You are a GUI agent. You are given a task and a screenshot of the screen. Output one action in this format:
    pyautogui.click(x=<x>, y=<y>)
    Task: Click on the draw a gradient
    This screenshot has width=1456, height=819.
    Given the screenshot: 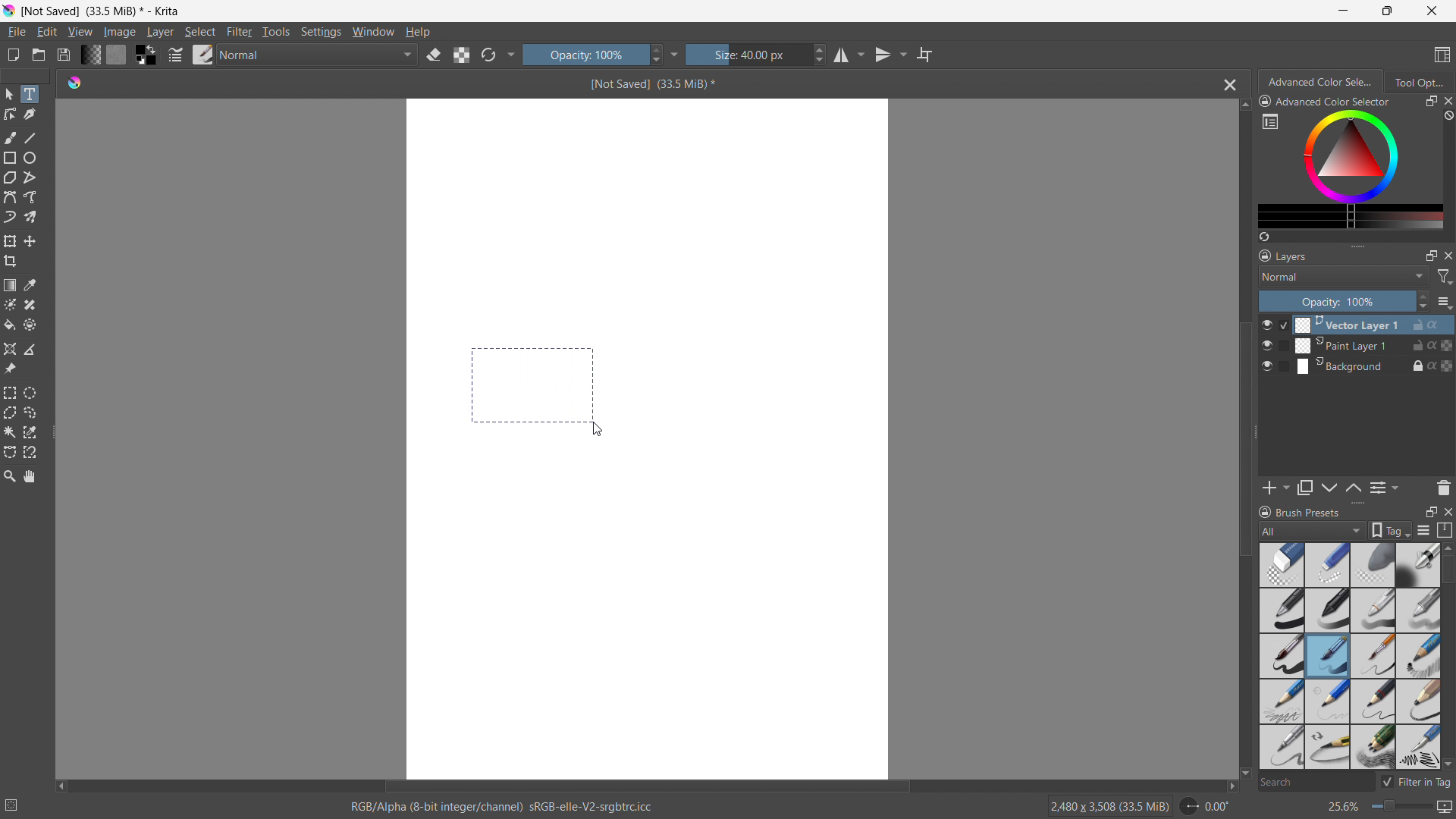 What is the action you would take?
    pyautogui.click(x=10, y=285)
    